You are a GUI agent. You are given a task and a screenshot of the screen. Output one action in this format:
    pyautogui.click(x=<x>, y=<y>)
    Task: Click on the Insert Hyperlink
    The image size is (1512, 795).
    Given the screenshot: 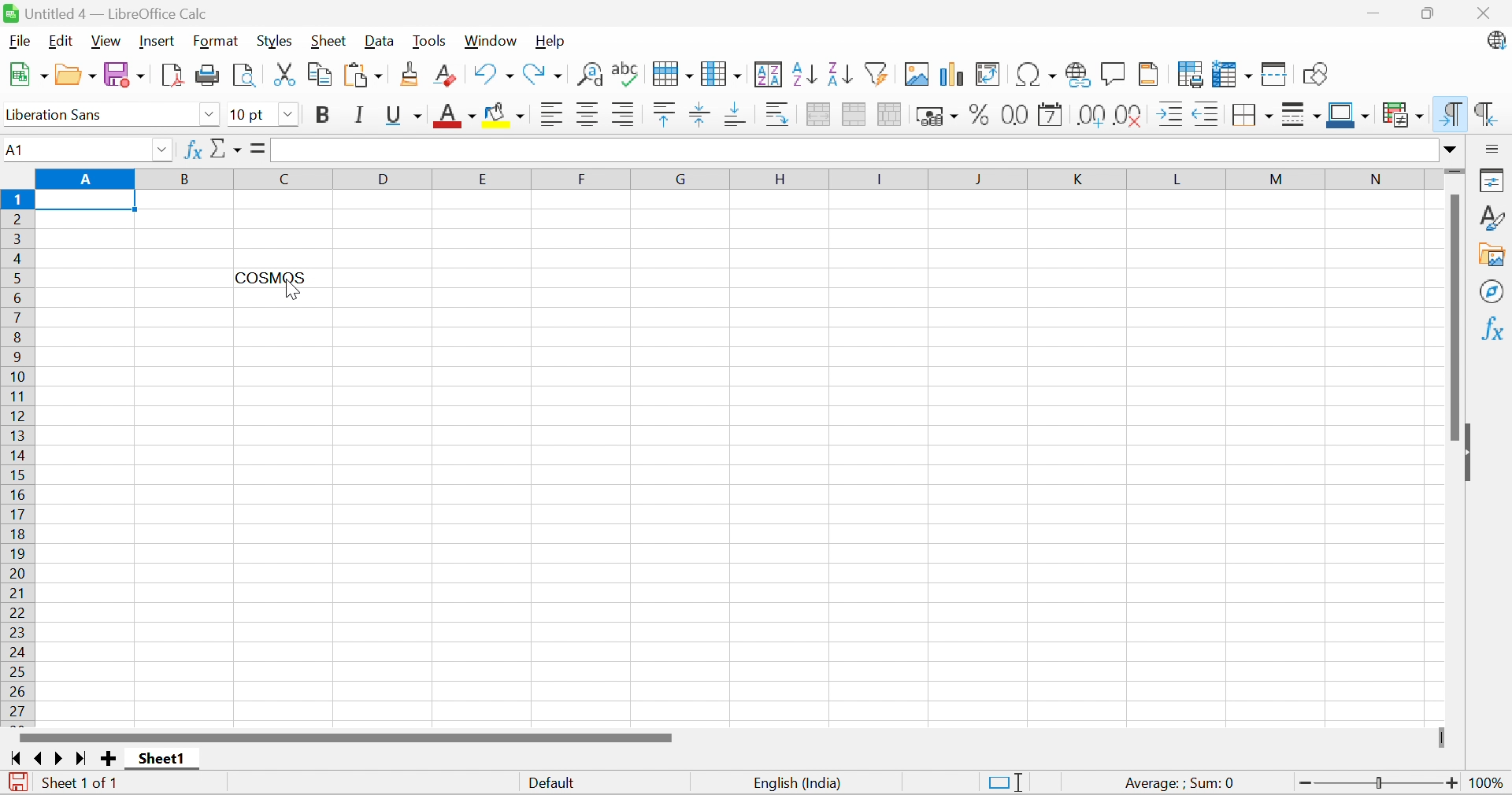 What is the action you would take?
    pyautogui.click(x=1080, y=75)
    